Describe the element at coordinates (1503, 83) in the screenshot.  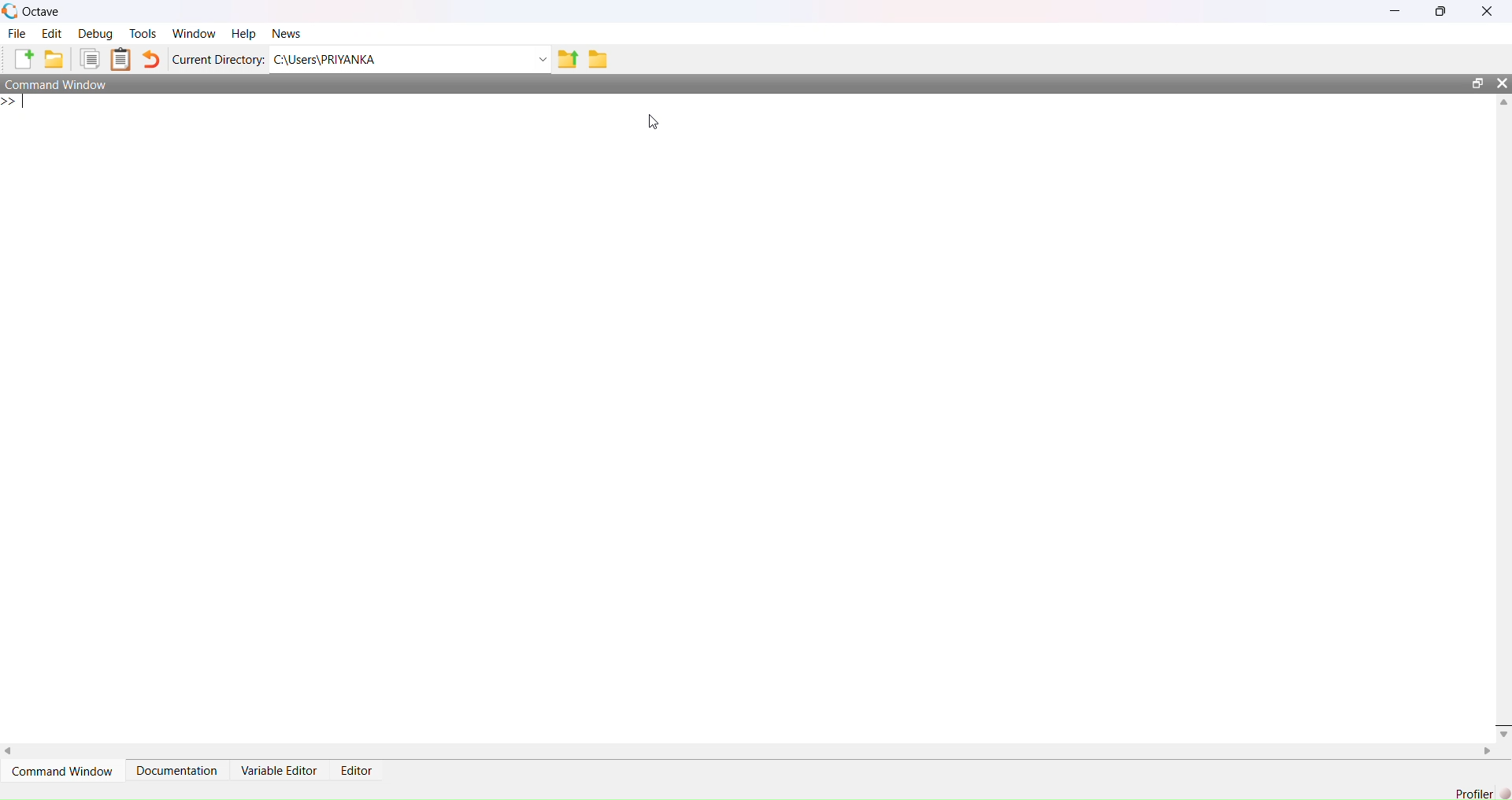
I see `Close` at that location.